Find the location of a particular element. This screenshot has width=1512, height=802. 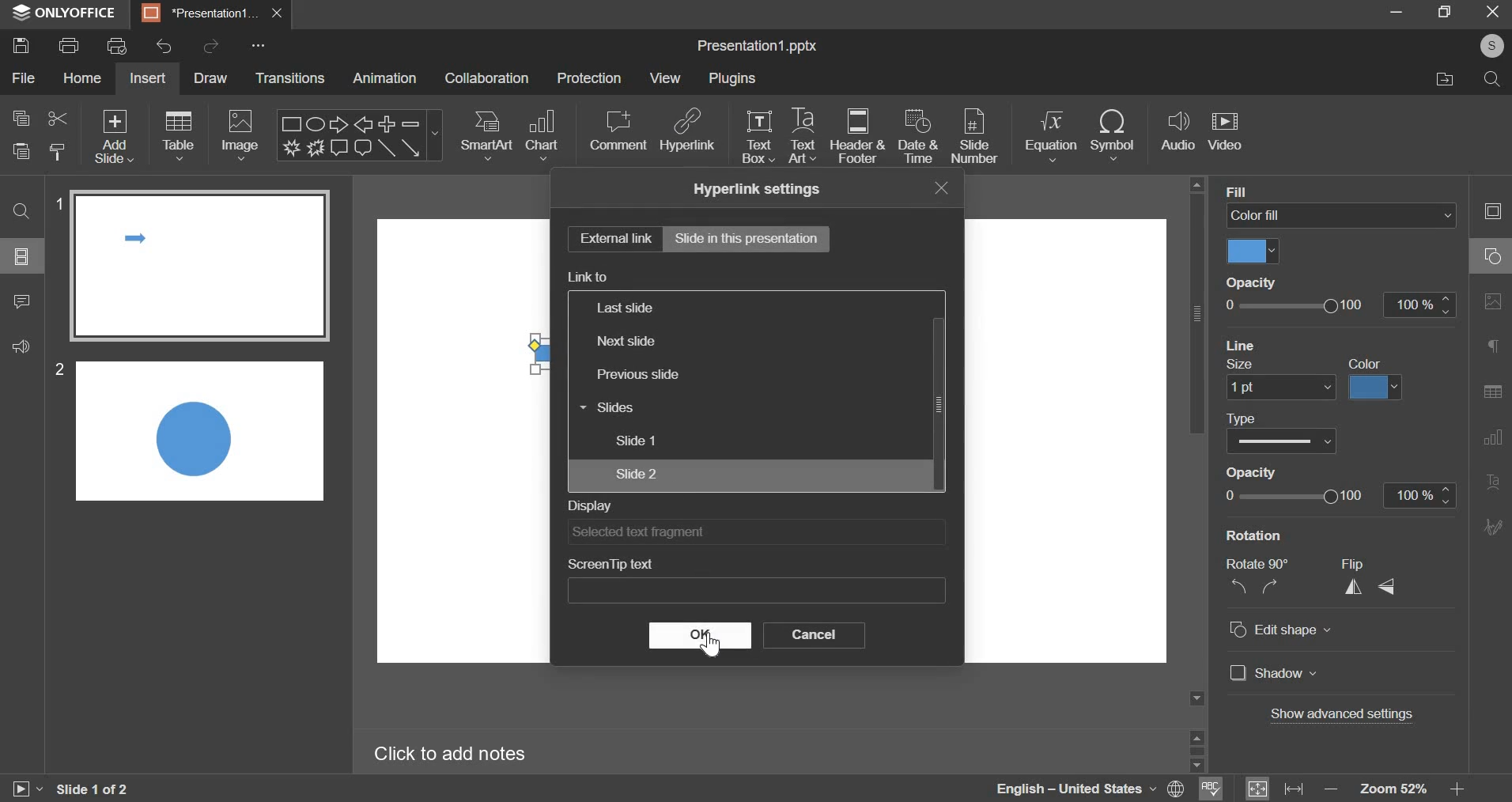

Rounded Rectangular callout is located at coordinates (363, 148).